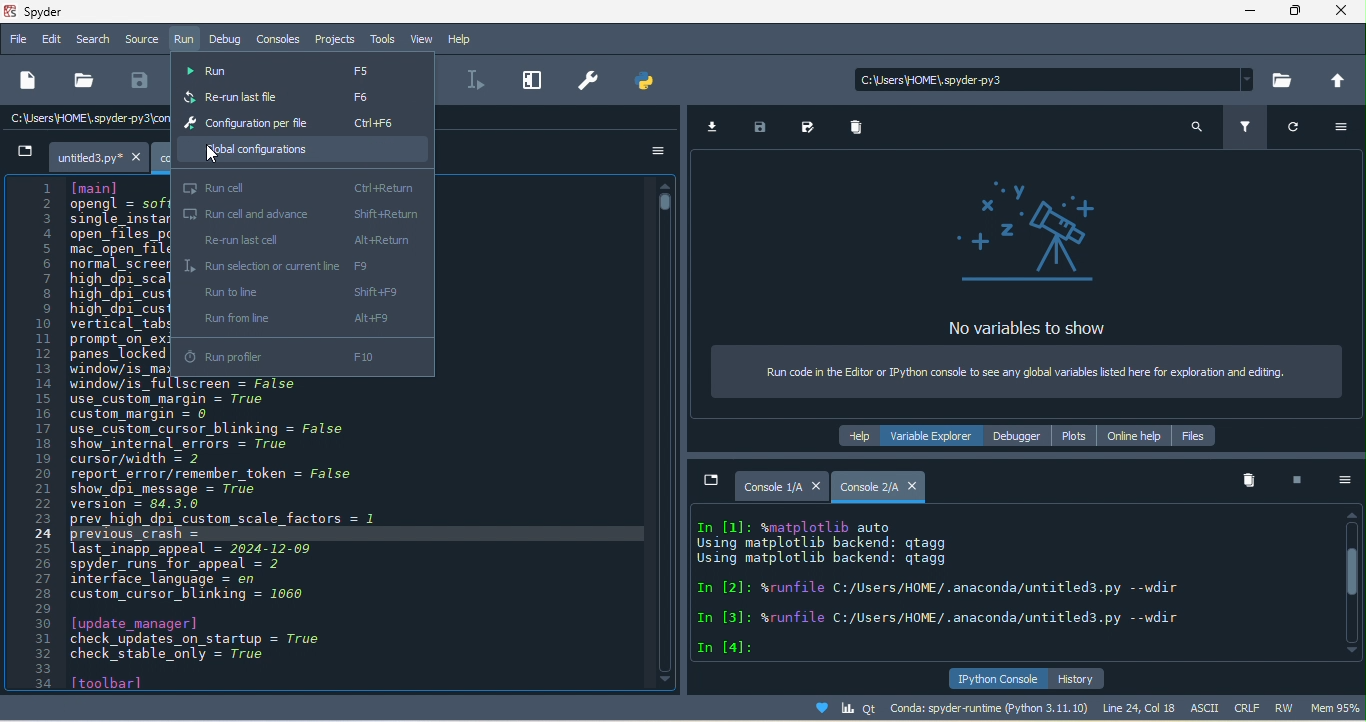  Describe the element at coordinates (718, 131) in the screenshot. I see `import data` at that location.